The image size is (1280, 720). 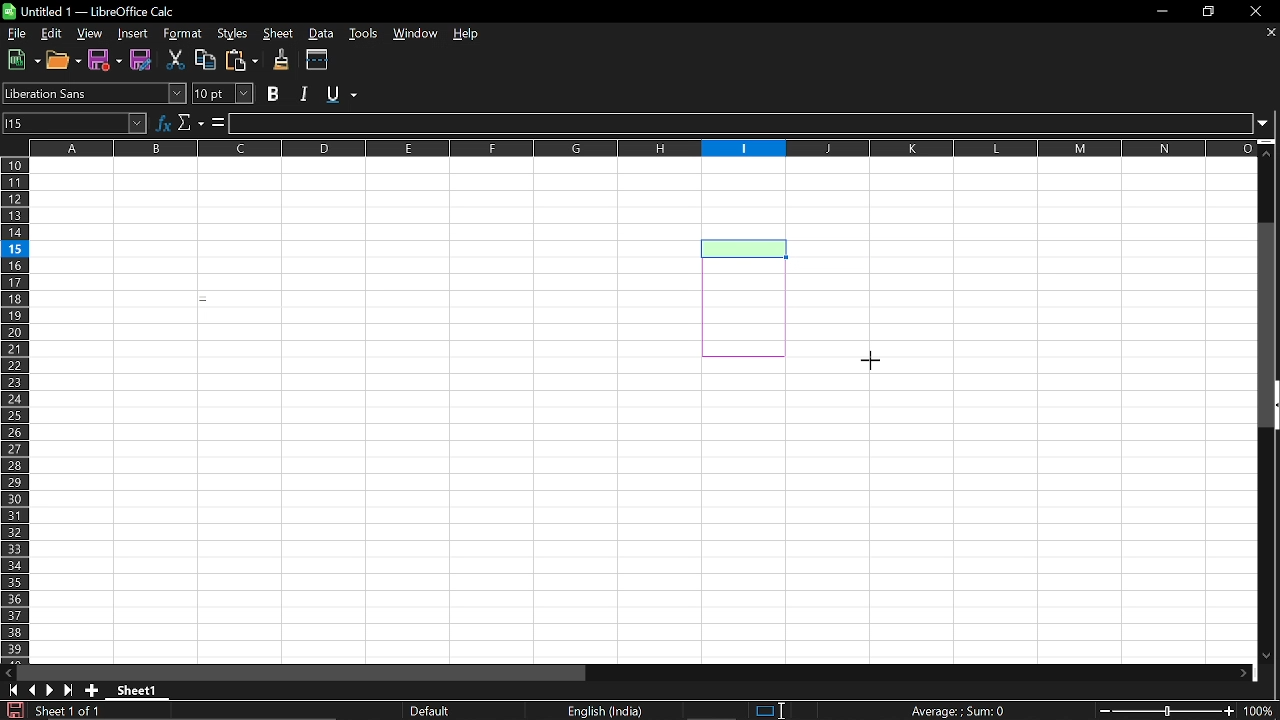 What do you see at coordinates (50, 33) in the screenshot?
I see `Edit` at bounding box center [50, 33].